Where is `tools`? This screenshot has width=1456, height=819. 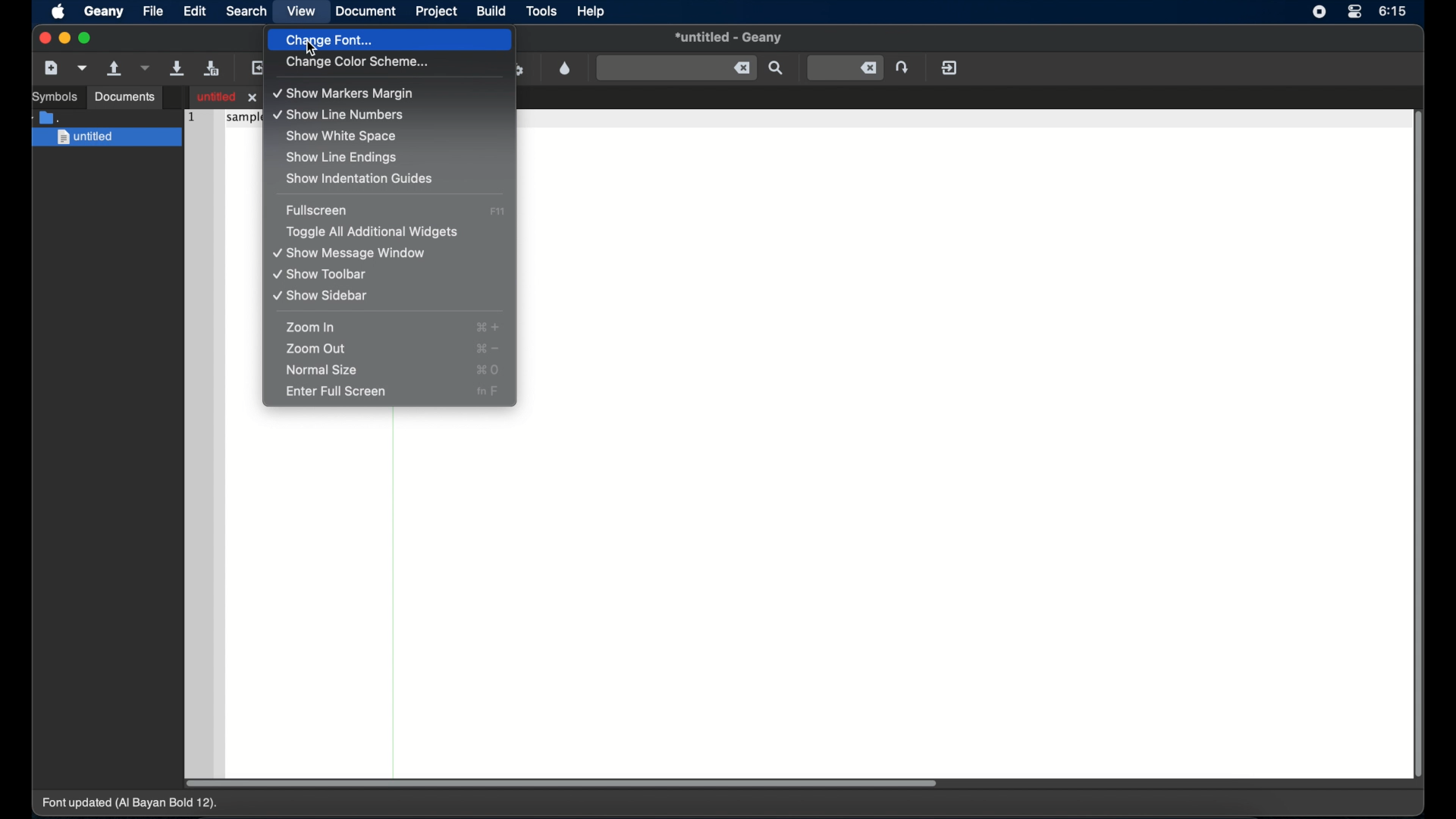 tools is located at coordinates (543, 12).